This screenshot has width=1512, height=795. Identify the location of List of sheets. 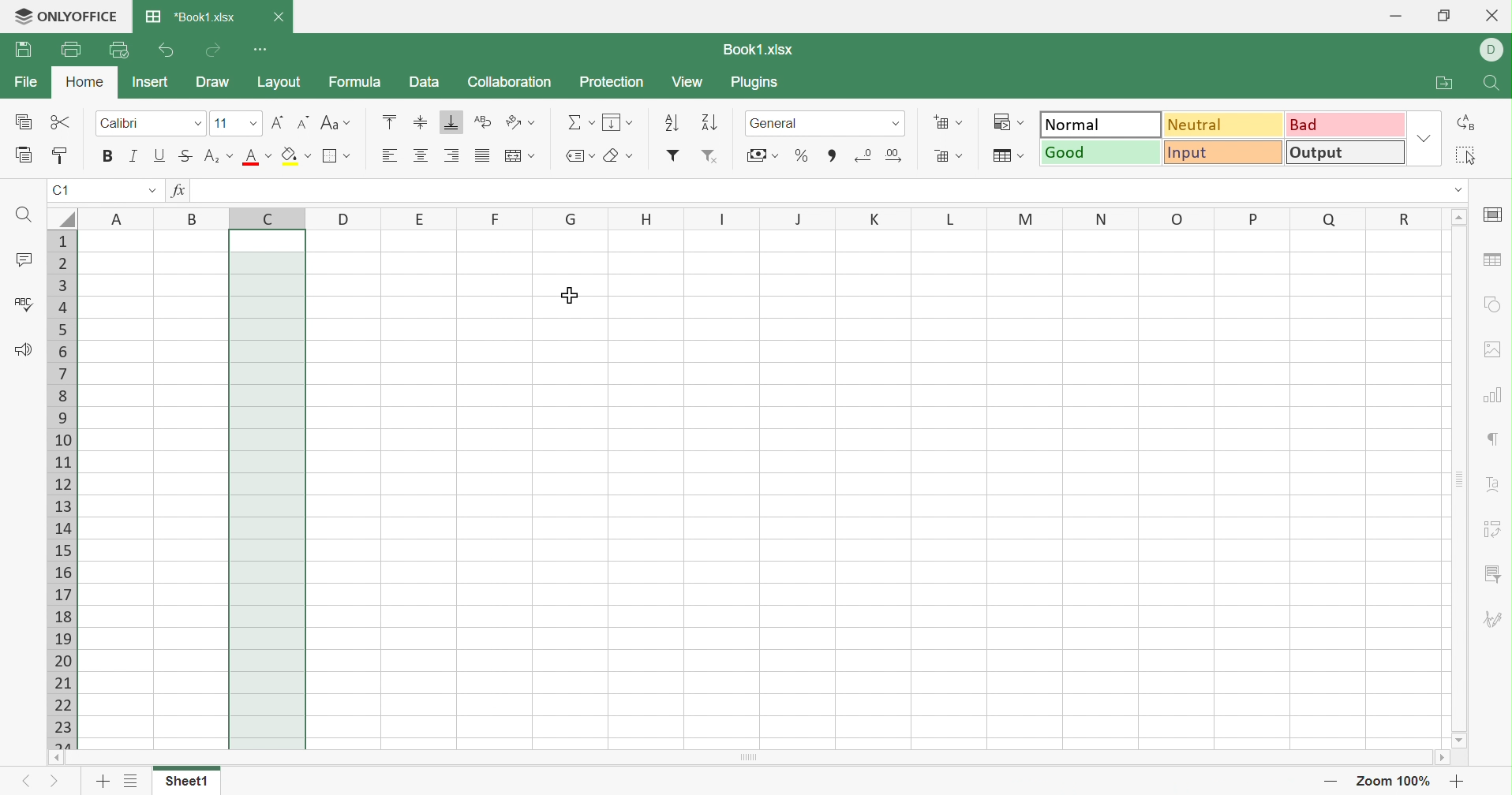
(132, 782).